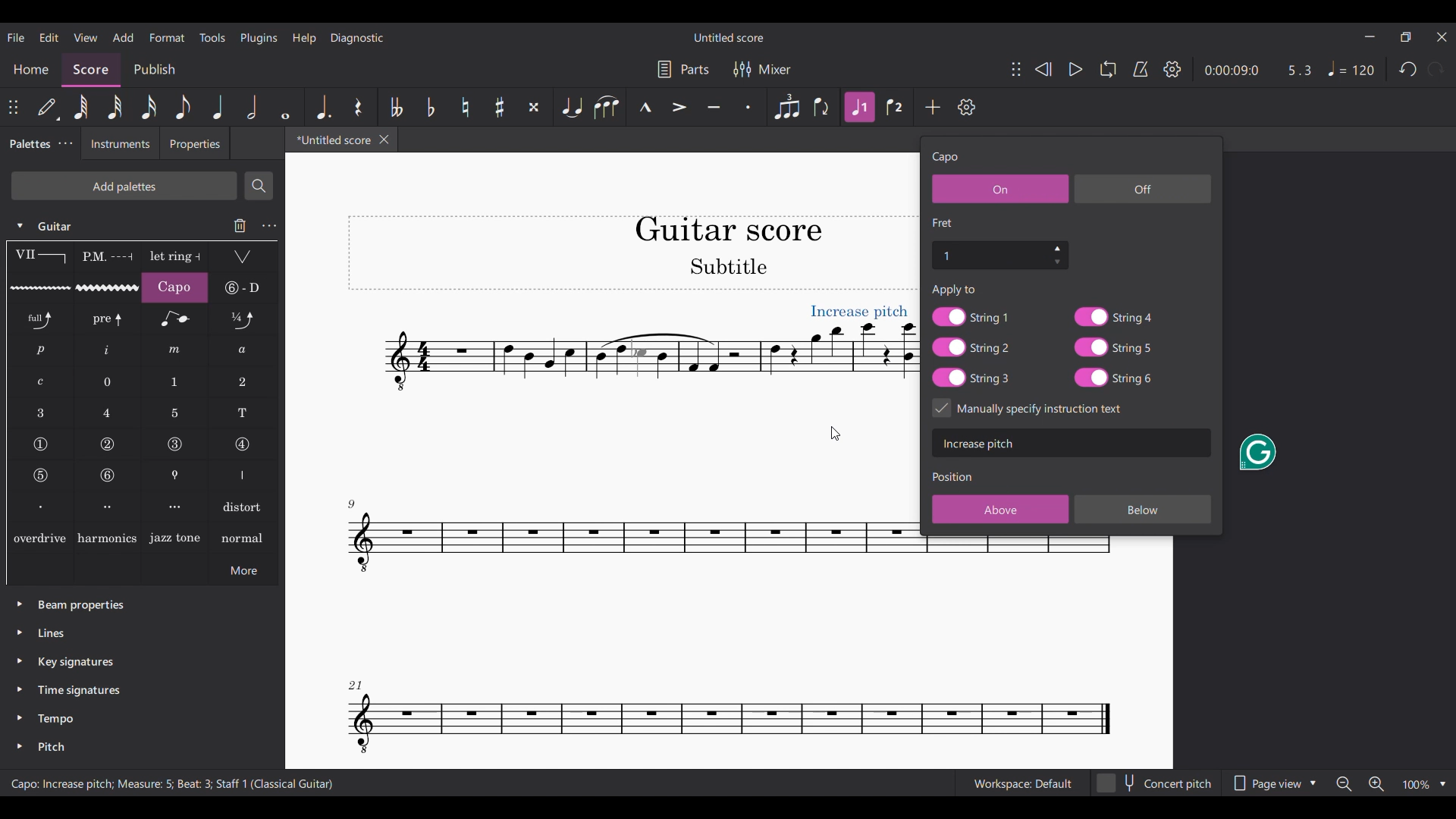 The height and width of the screenshot is (819, 1456). What do you see at coordinates (1442, 37) in the screenshot?
I see `Close interface` at bounding box center [1442, 37].